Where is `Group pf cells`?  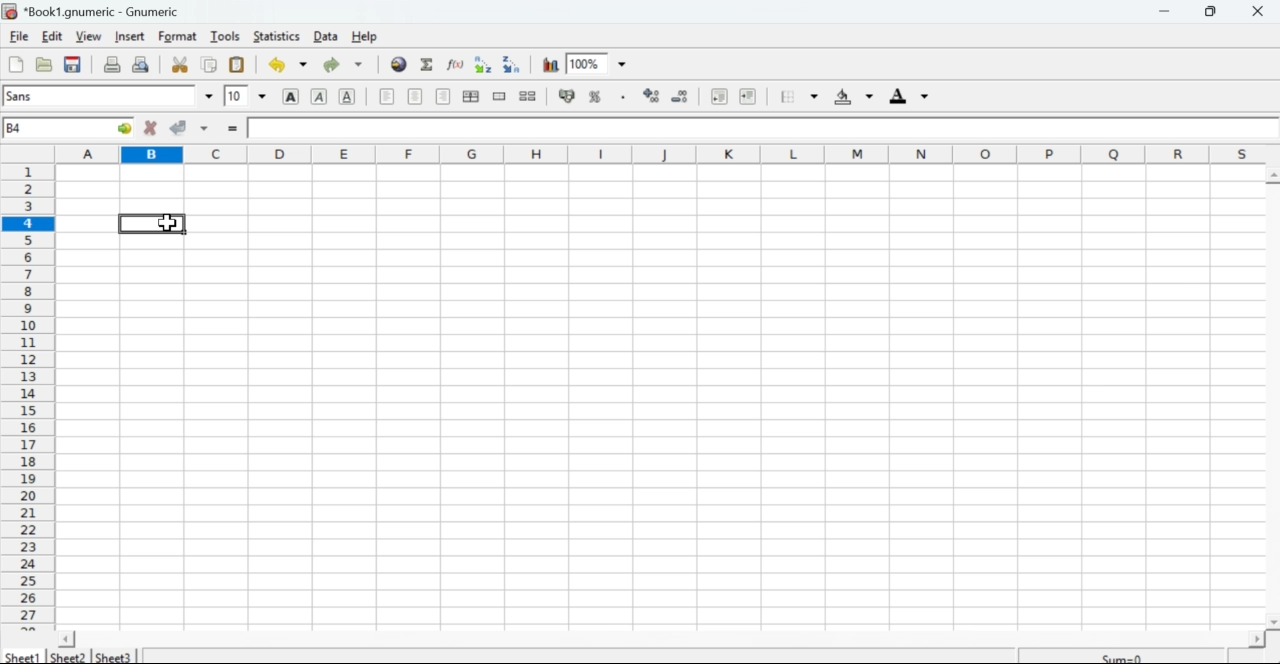 Group pf cells is located at coordinates (472, 97).